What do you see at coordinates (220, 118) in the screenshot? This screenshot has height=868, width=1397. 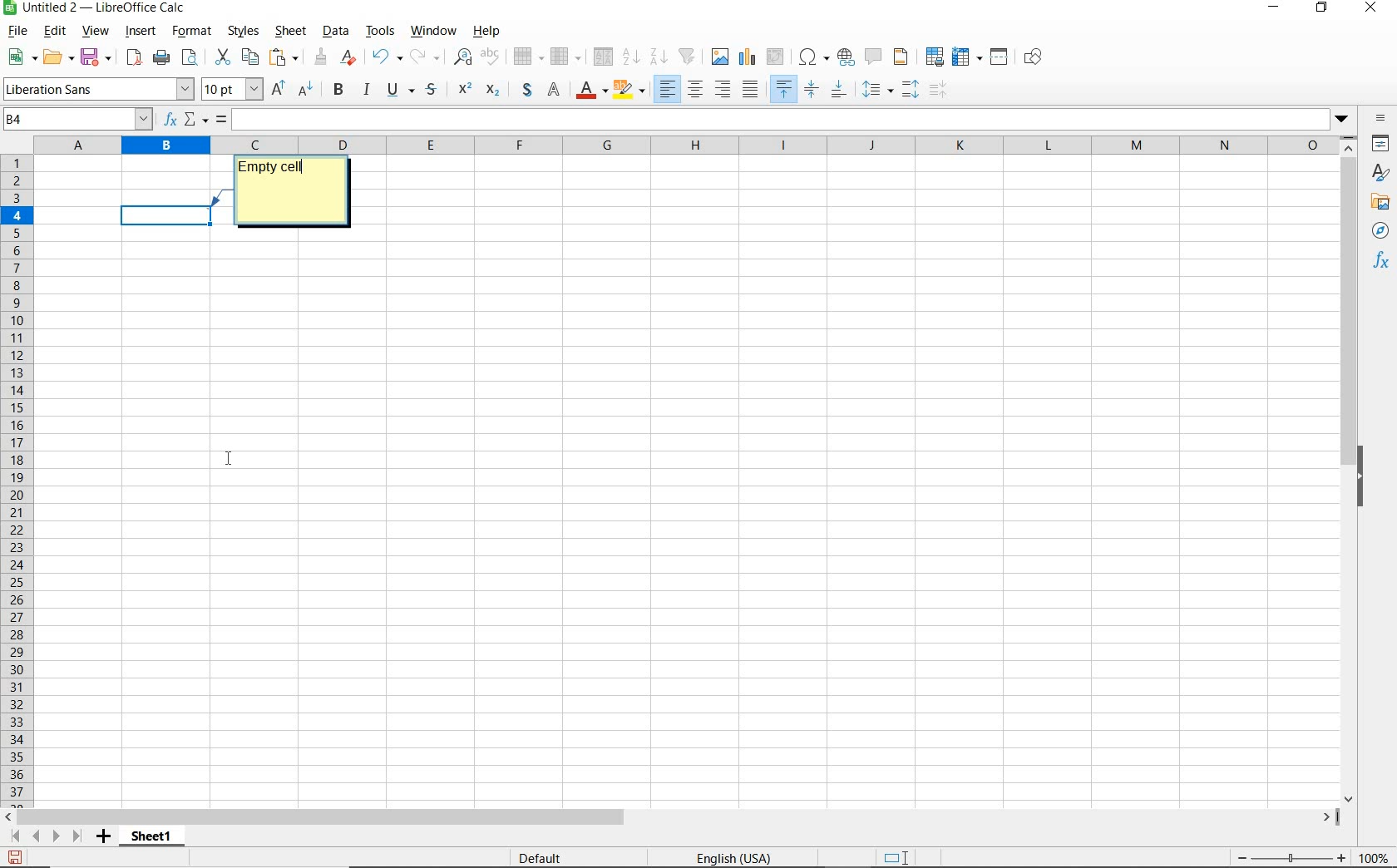 I see `formula` at bounding box center [220, 118].